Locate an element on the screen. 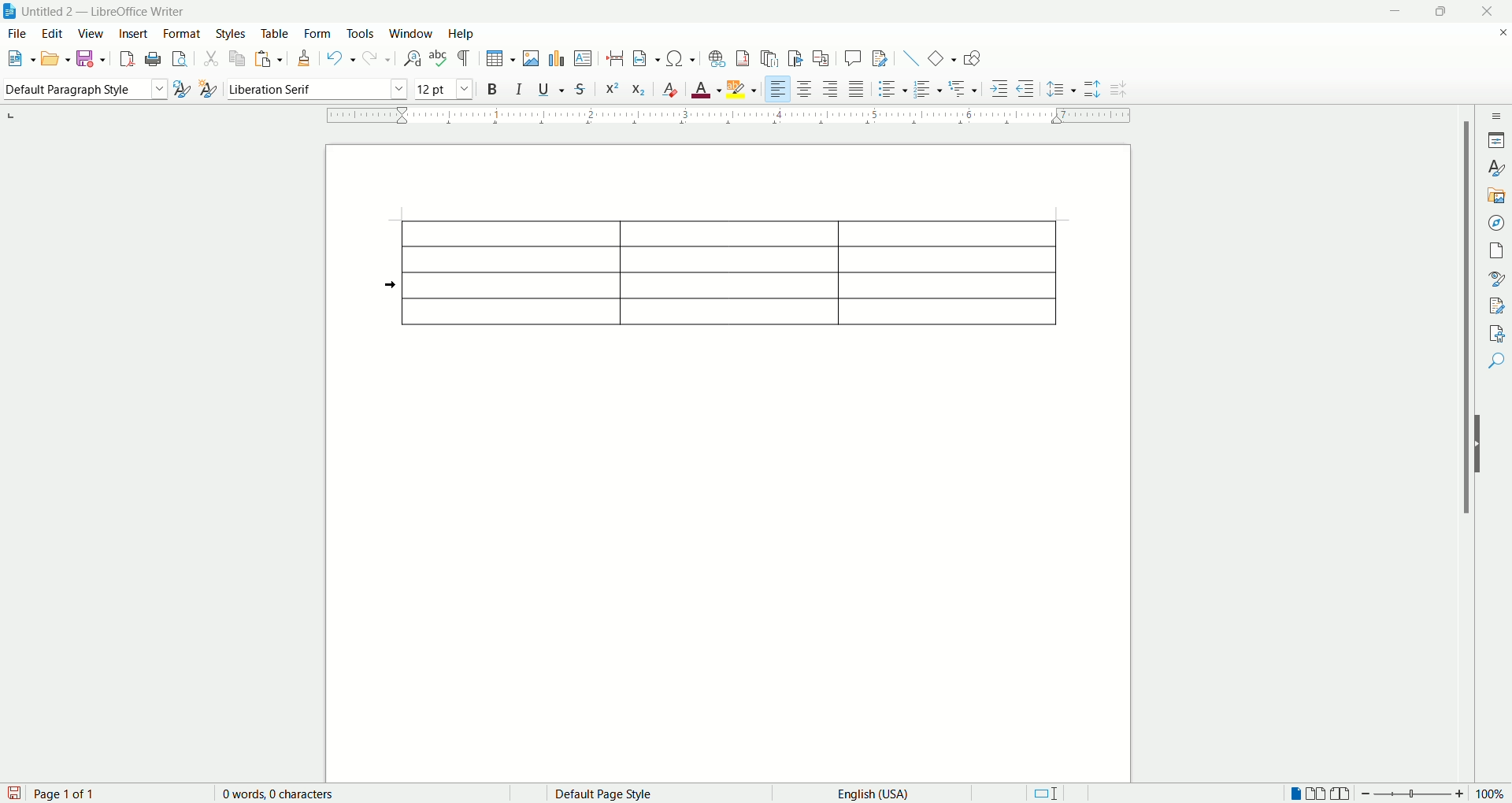  increase indent is located at coordinates (1001, 88).